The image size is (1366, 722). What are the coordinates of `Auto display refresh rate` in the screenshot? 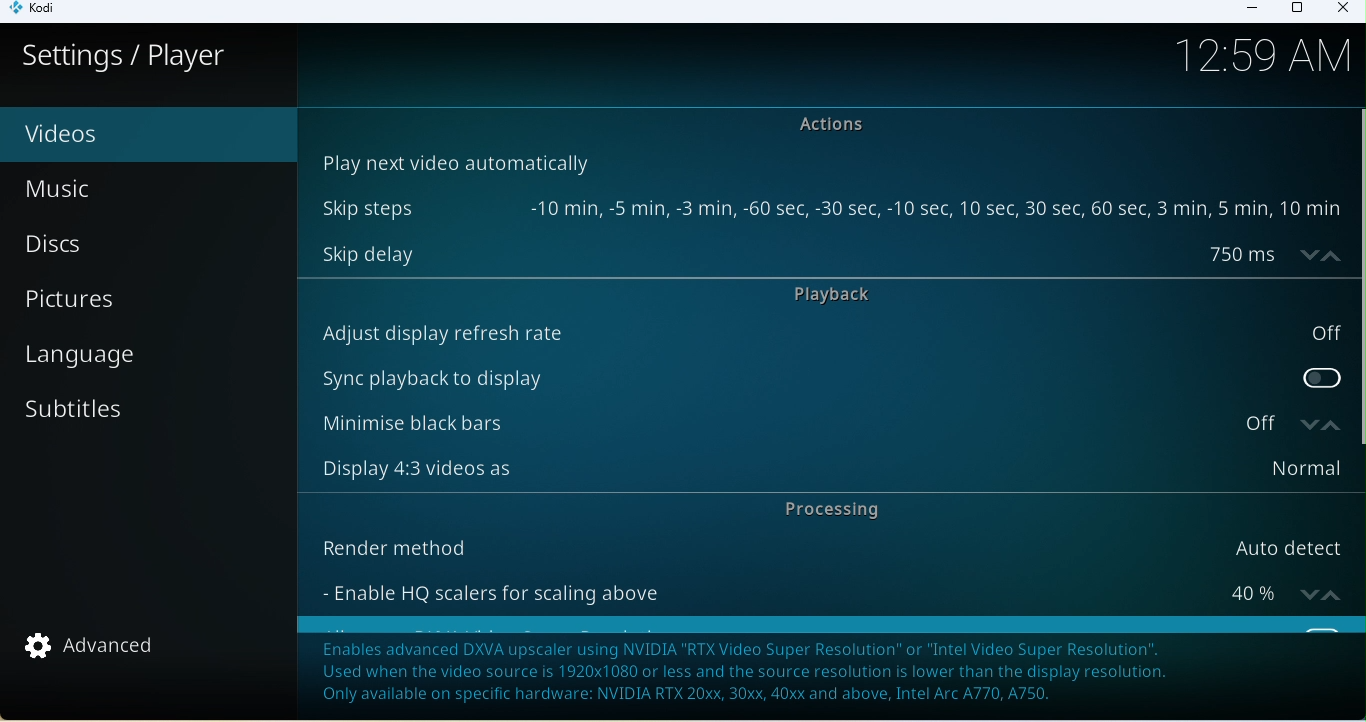 It's located at (828, 333).